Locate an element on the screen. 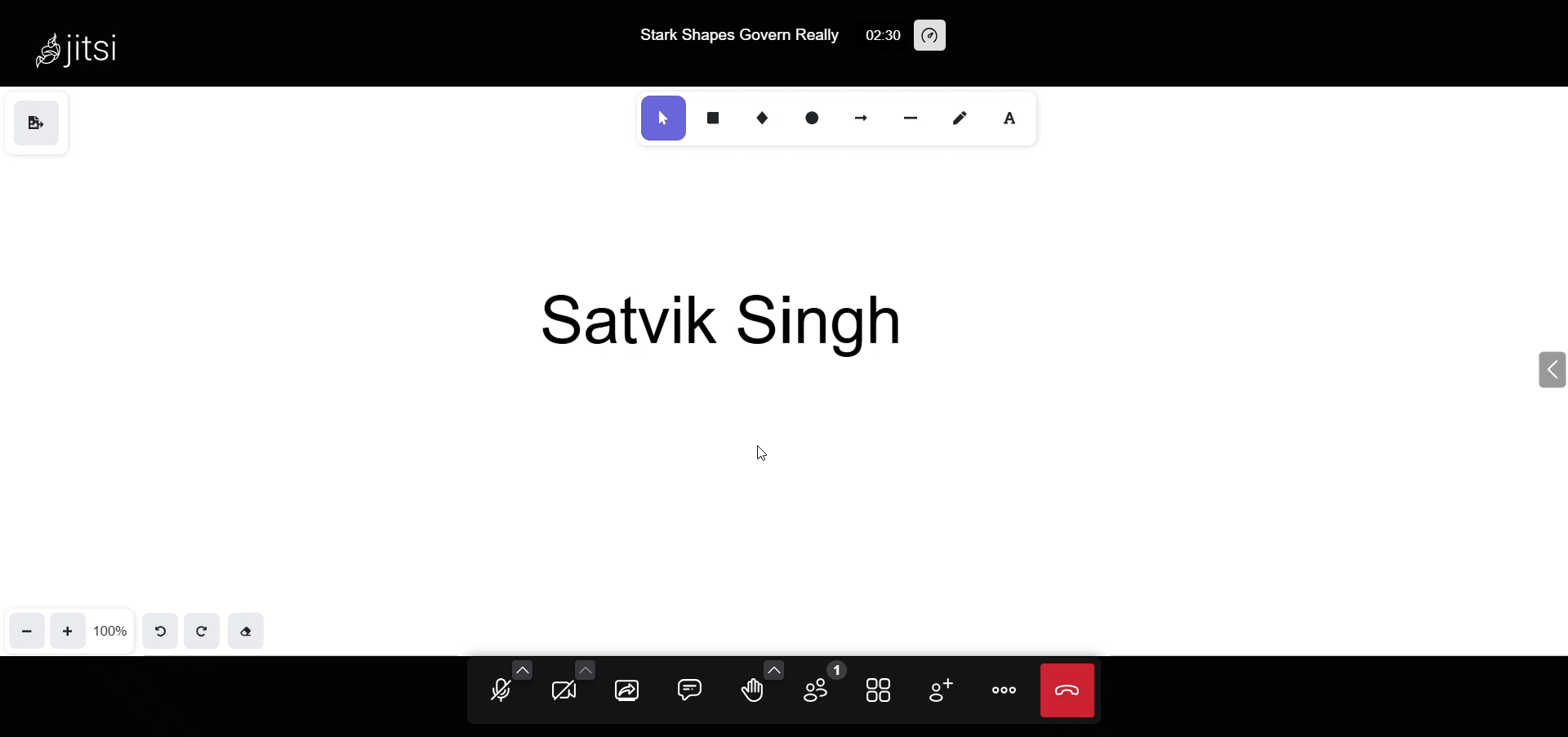 The height and width of the screenshot is (737, 1568). text is located at coordinates (1010, 121).